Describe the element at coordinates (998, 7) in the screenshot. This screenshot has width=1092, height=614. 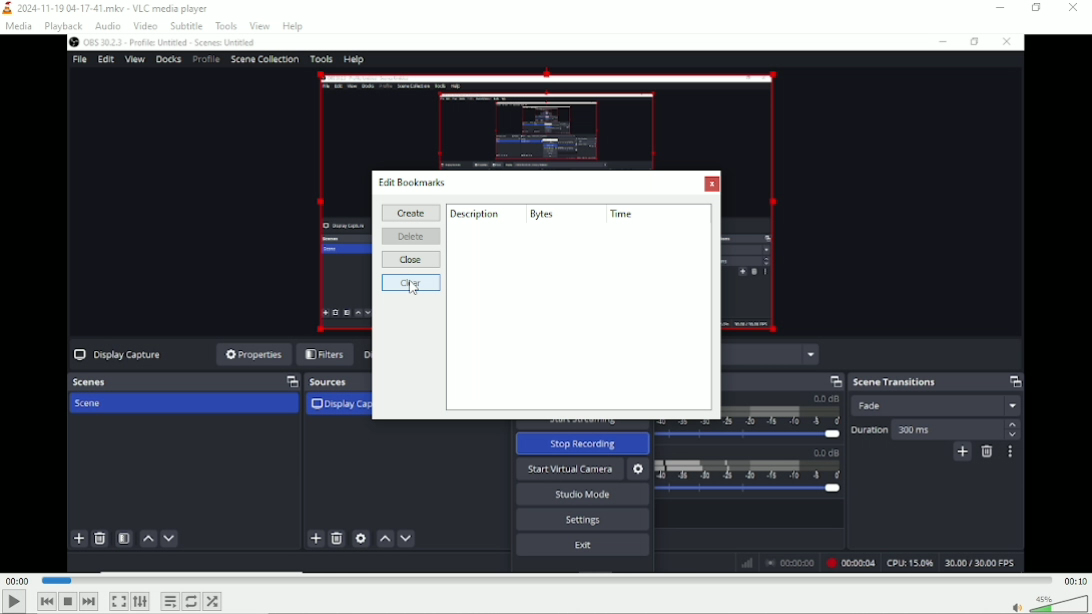
I see `Minimize` at that location.